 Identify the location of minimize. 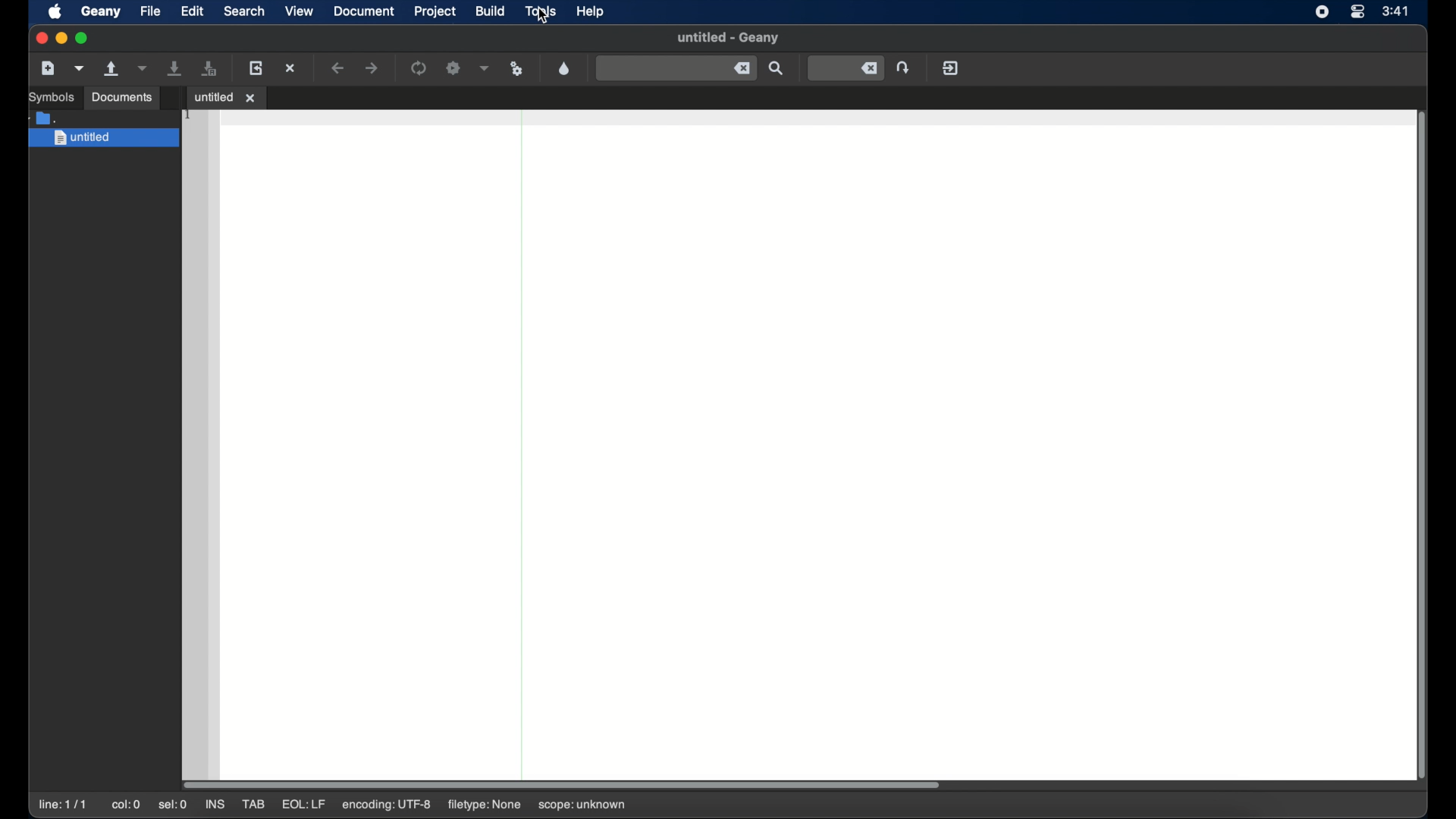
(61, 38).